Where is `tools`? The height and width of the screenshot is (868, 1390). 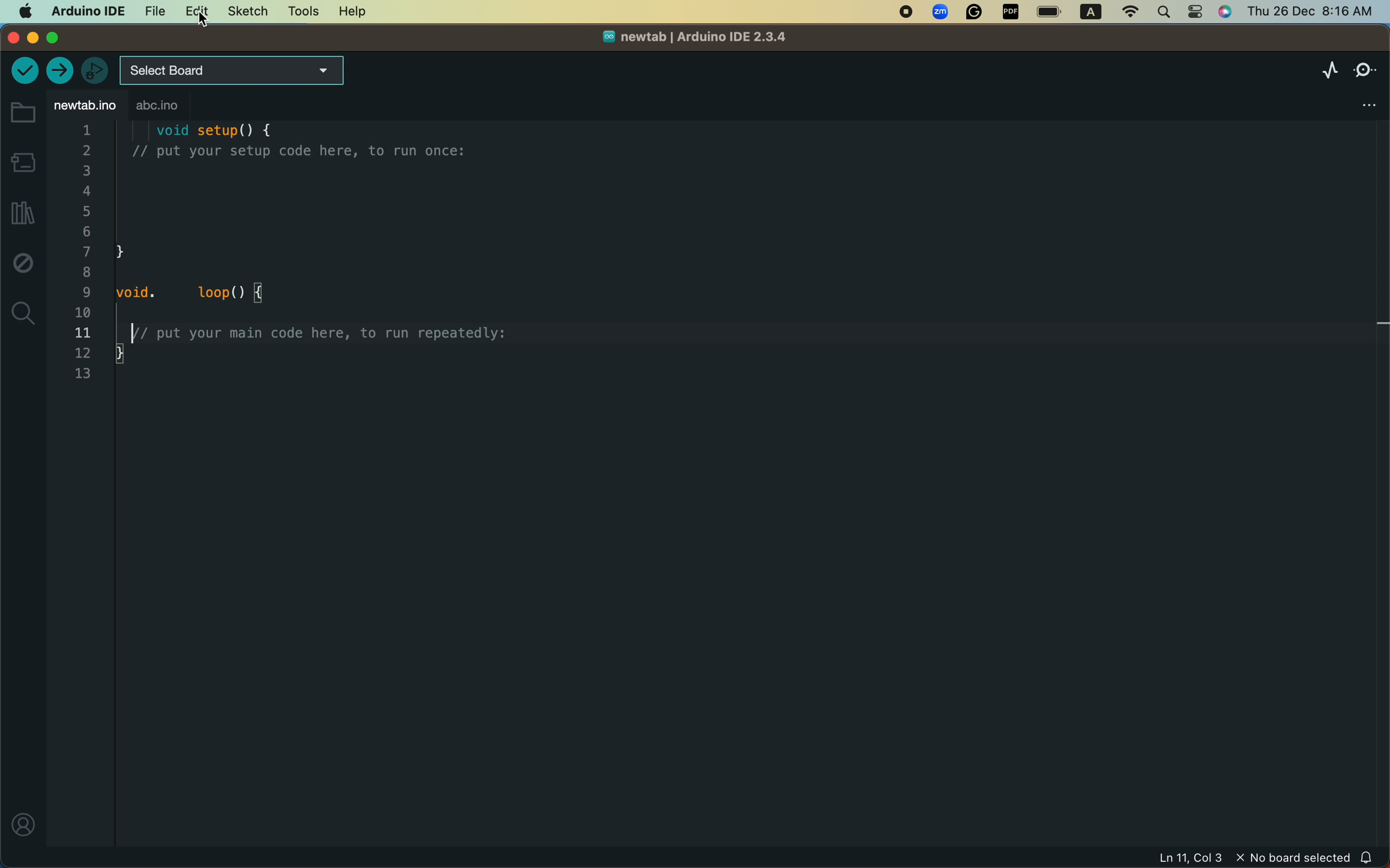 tools is located at coordinates (303, 11).